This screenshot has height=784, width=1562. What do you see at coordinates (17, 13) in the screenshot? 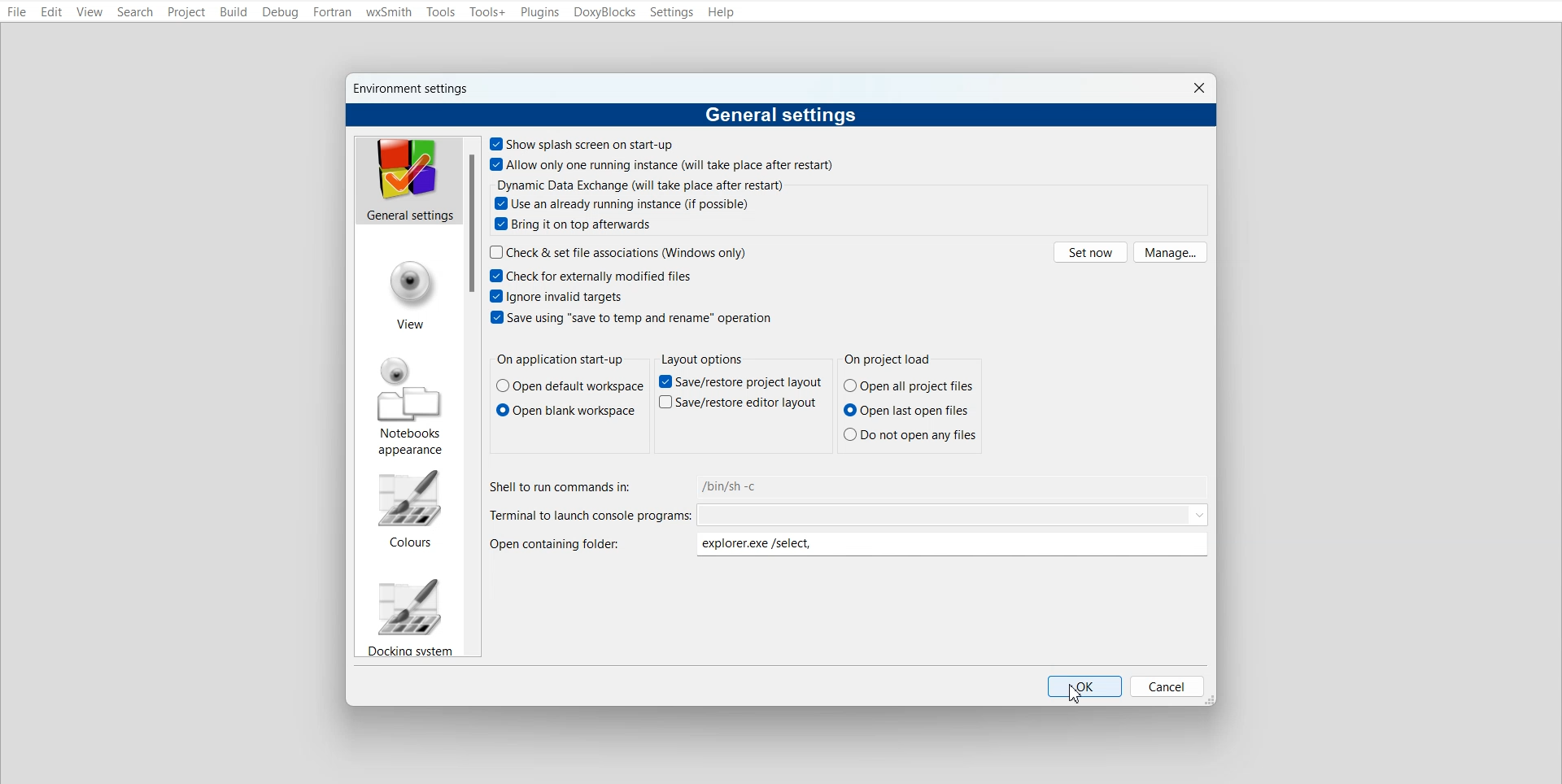
I see `File` at bounding box center [17, 13].